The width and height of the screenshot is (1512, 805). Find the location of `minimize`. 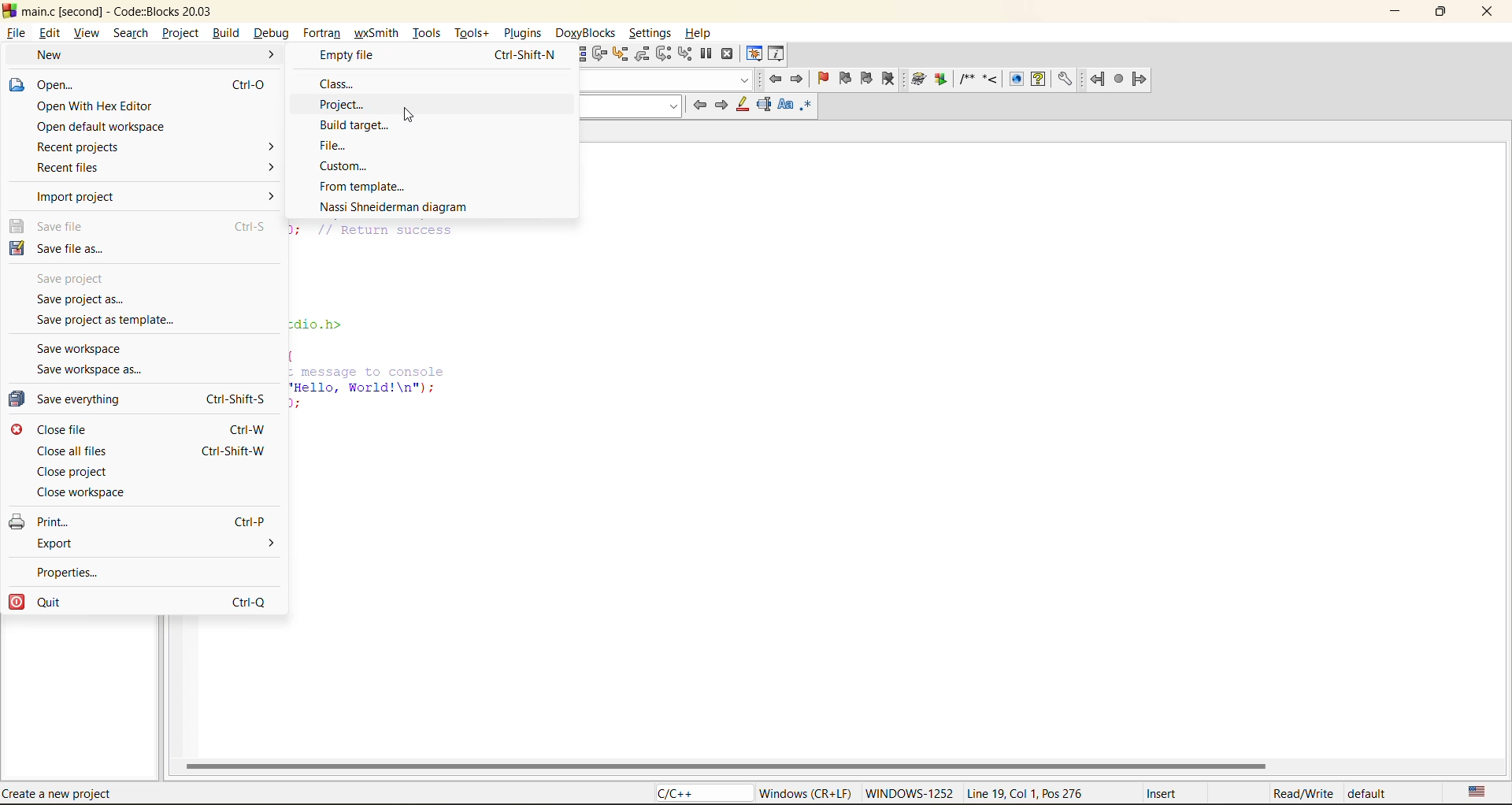

minimize is located at coordinates (1395, 12).